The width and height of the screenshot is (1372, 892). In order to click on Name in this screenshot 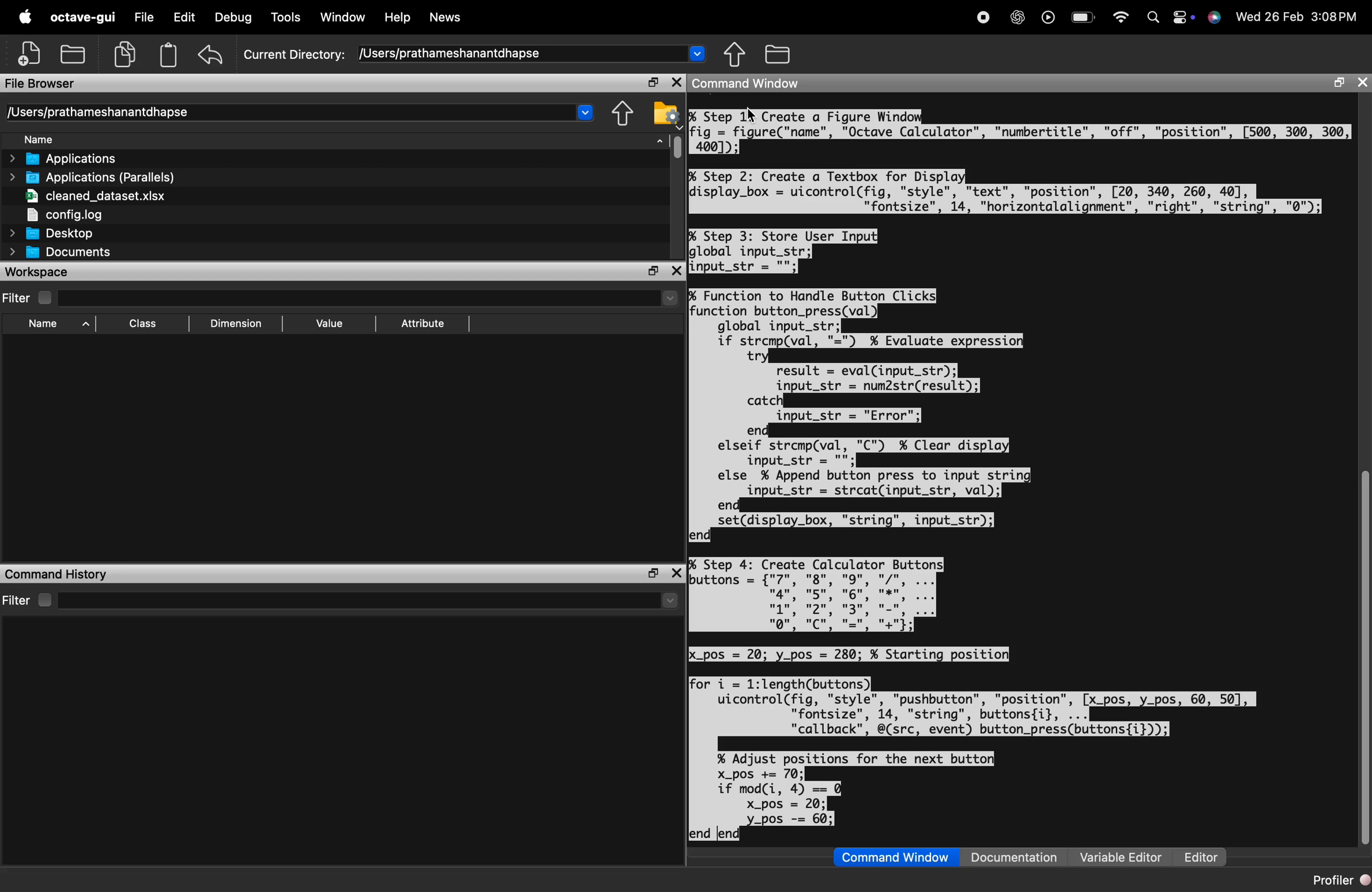, I will do `click(108, 138)`.